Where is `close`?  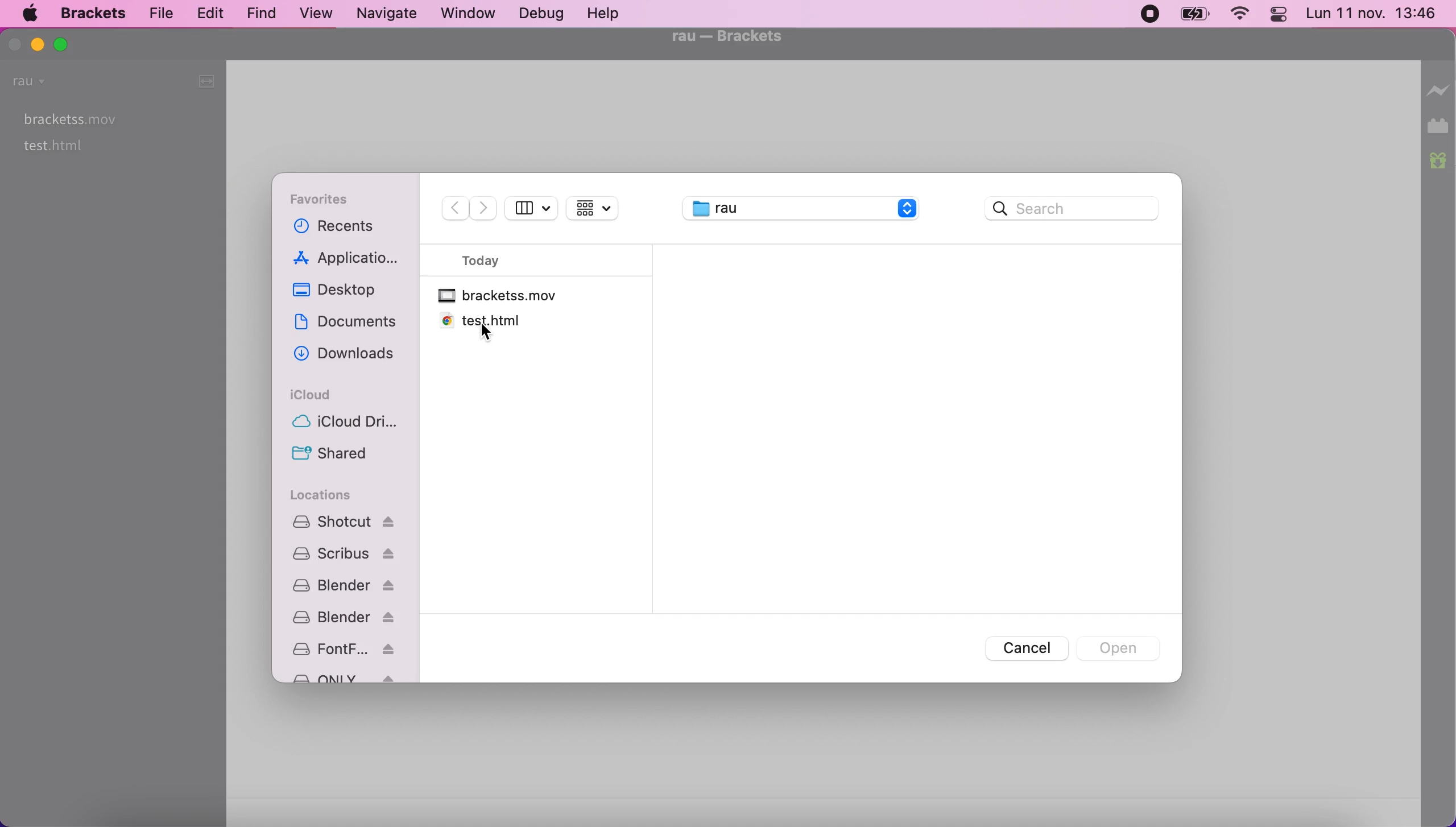
close is located at coordinates (15, 44).